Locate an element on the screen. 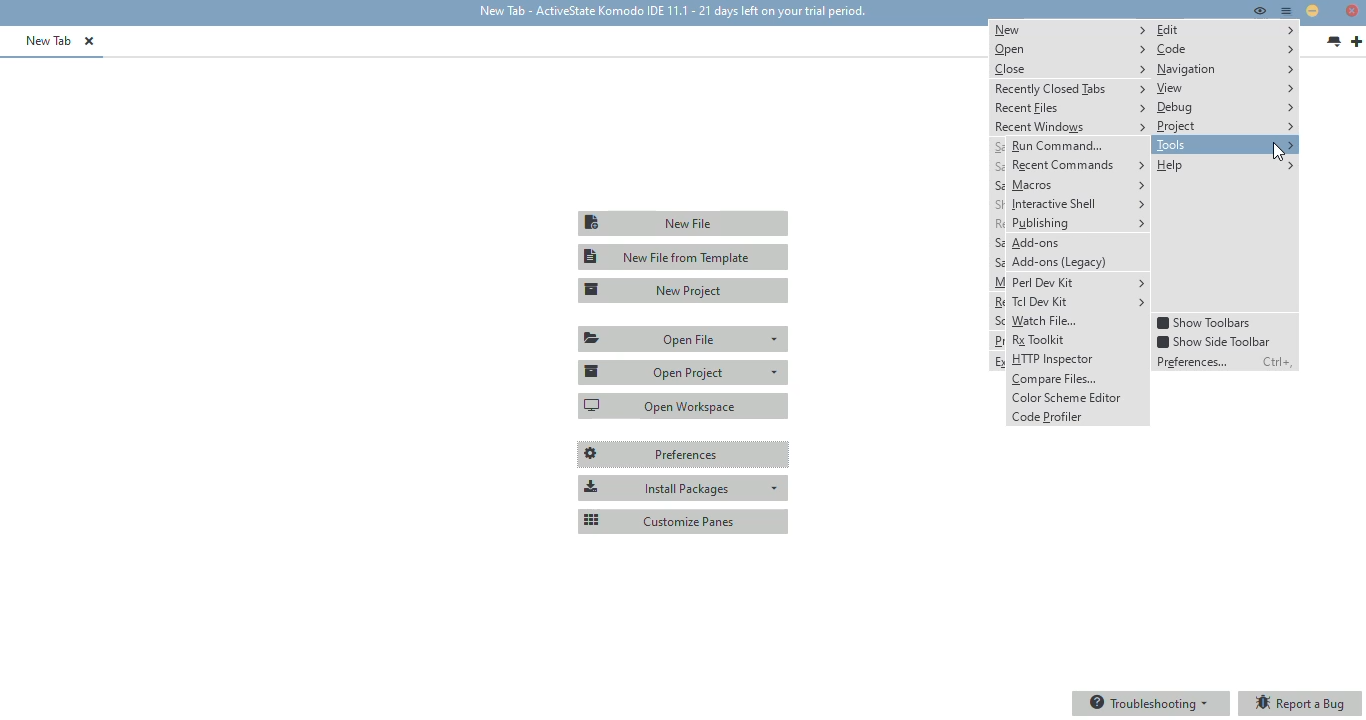 Image resolution: width=1366 pixels, height=720 pixels. code is located at coordinates (1225, 49).